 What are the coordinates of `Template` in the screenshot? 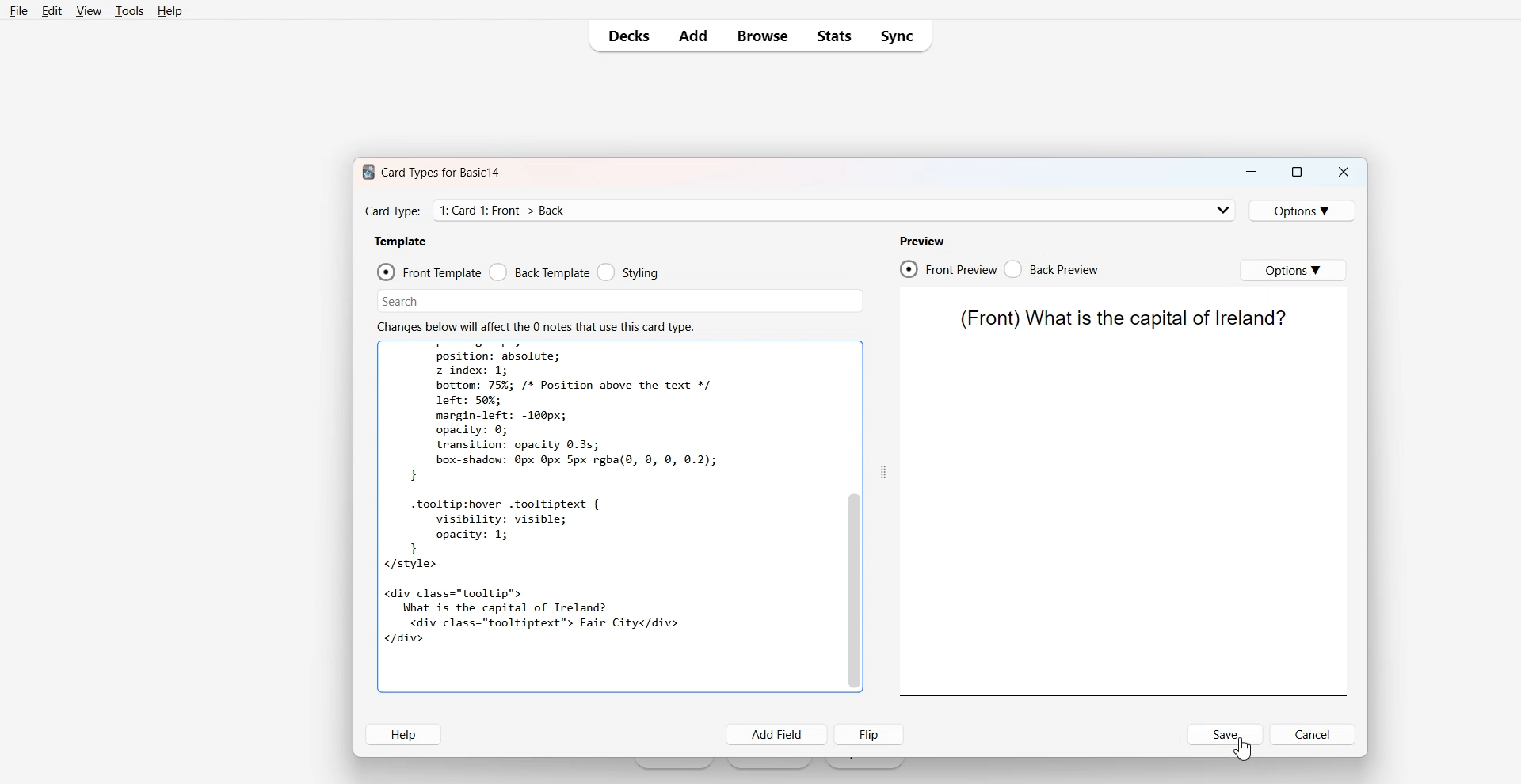 It's located at (402, 242).